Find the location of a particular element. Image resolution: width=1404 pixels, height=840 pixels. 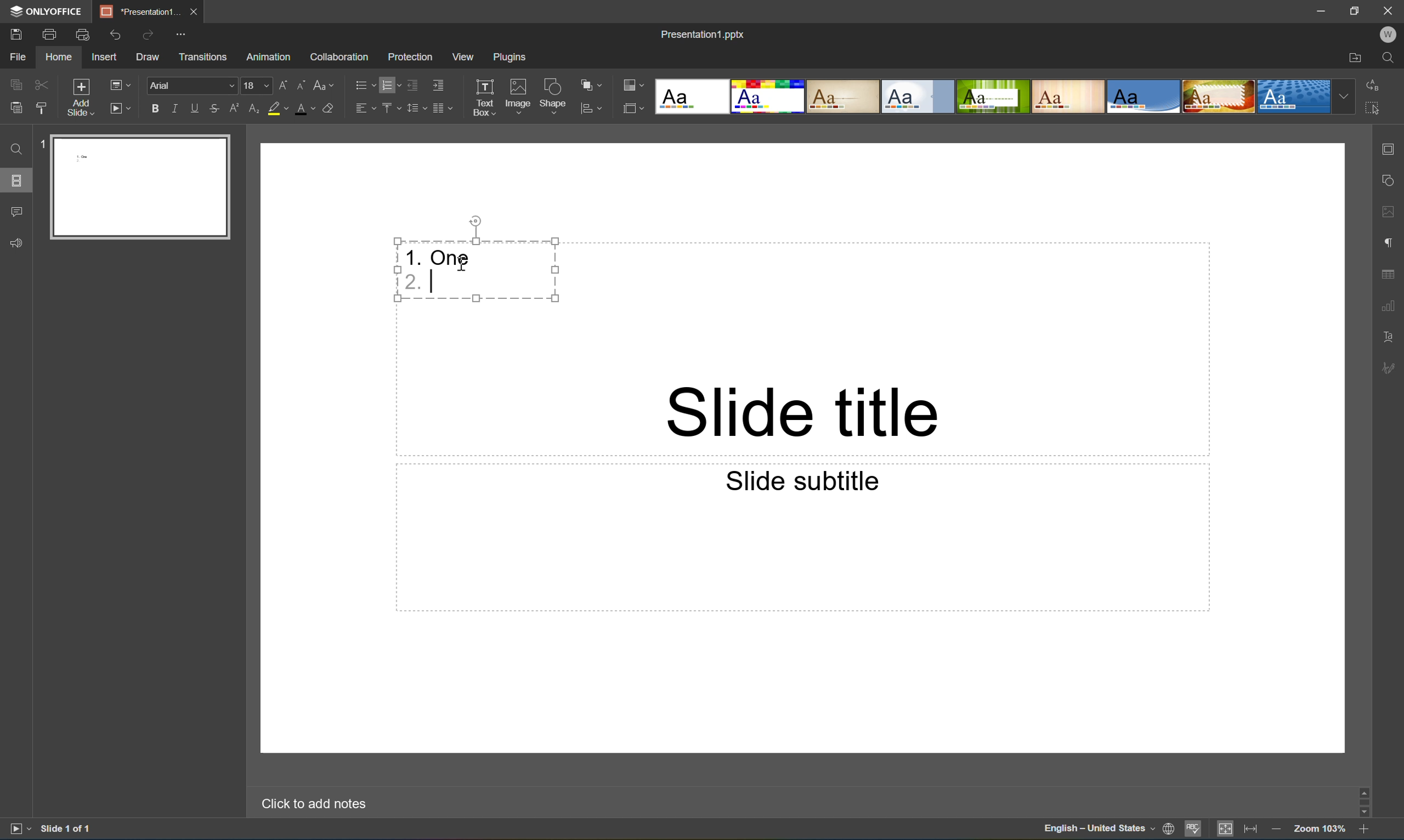

Presentation1.pptx is located at coordinates (702, 36).